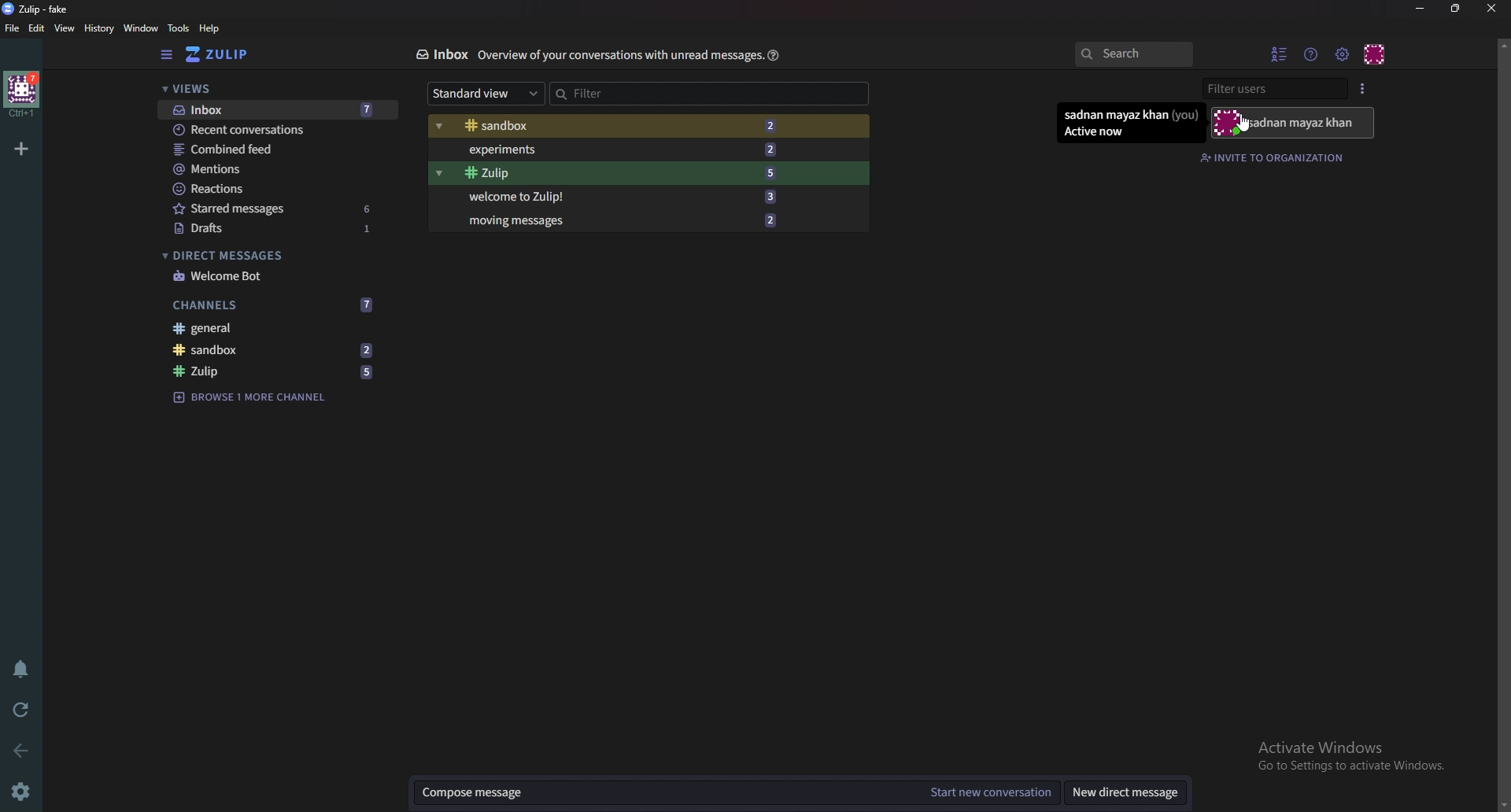 This screenshot has height=812, width=1511. I want to click on Moving messages, so click(621, 220).